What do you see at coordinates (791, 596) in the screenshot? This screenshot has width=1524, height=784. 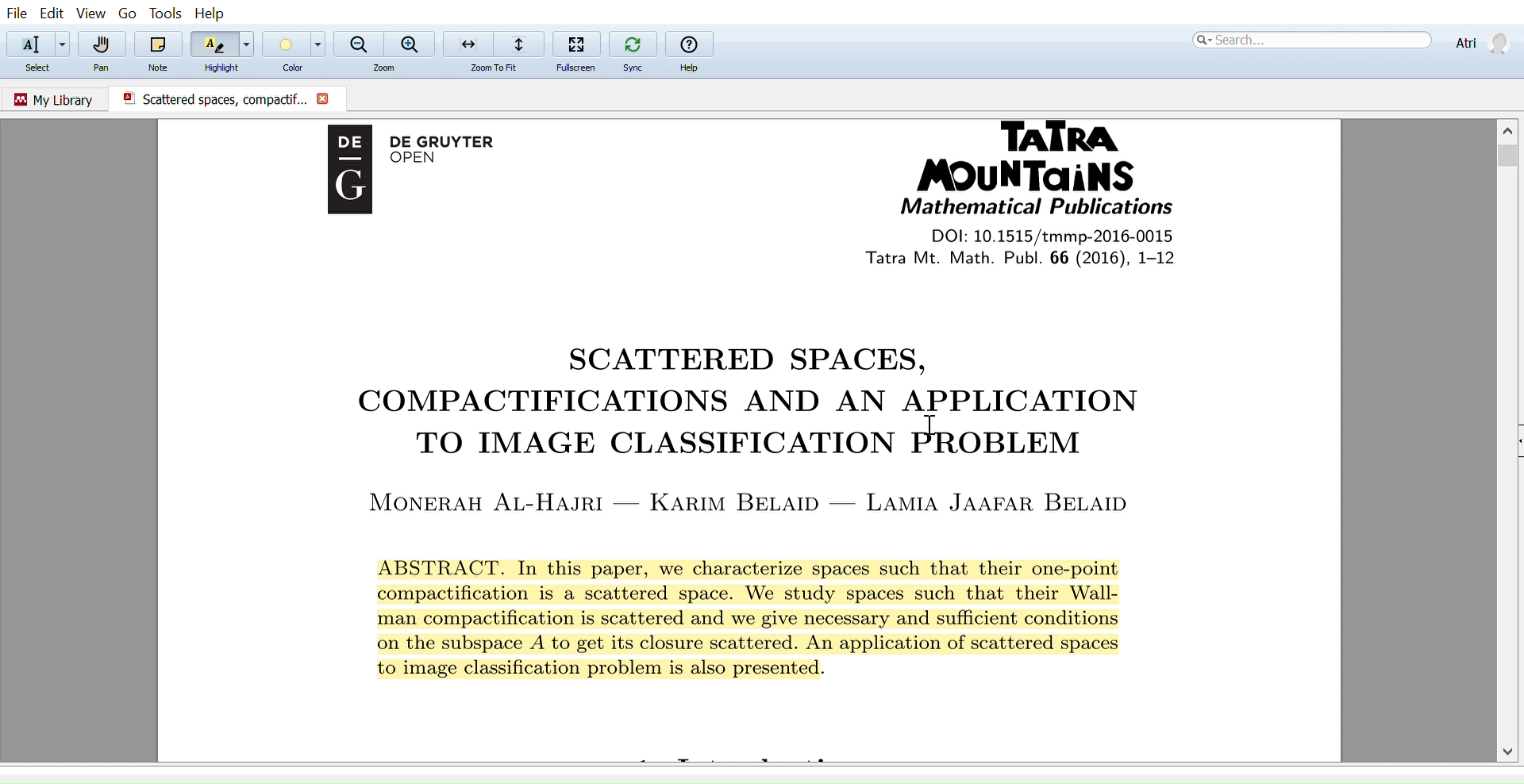 I see `compactification is a scattered space. We study spaces such that their Wall-` at bounding box center [791, 596].